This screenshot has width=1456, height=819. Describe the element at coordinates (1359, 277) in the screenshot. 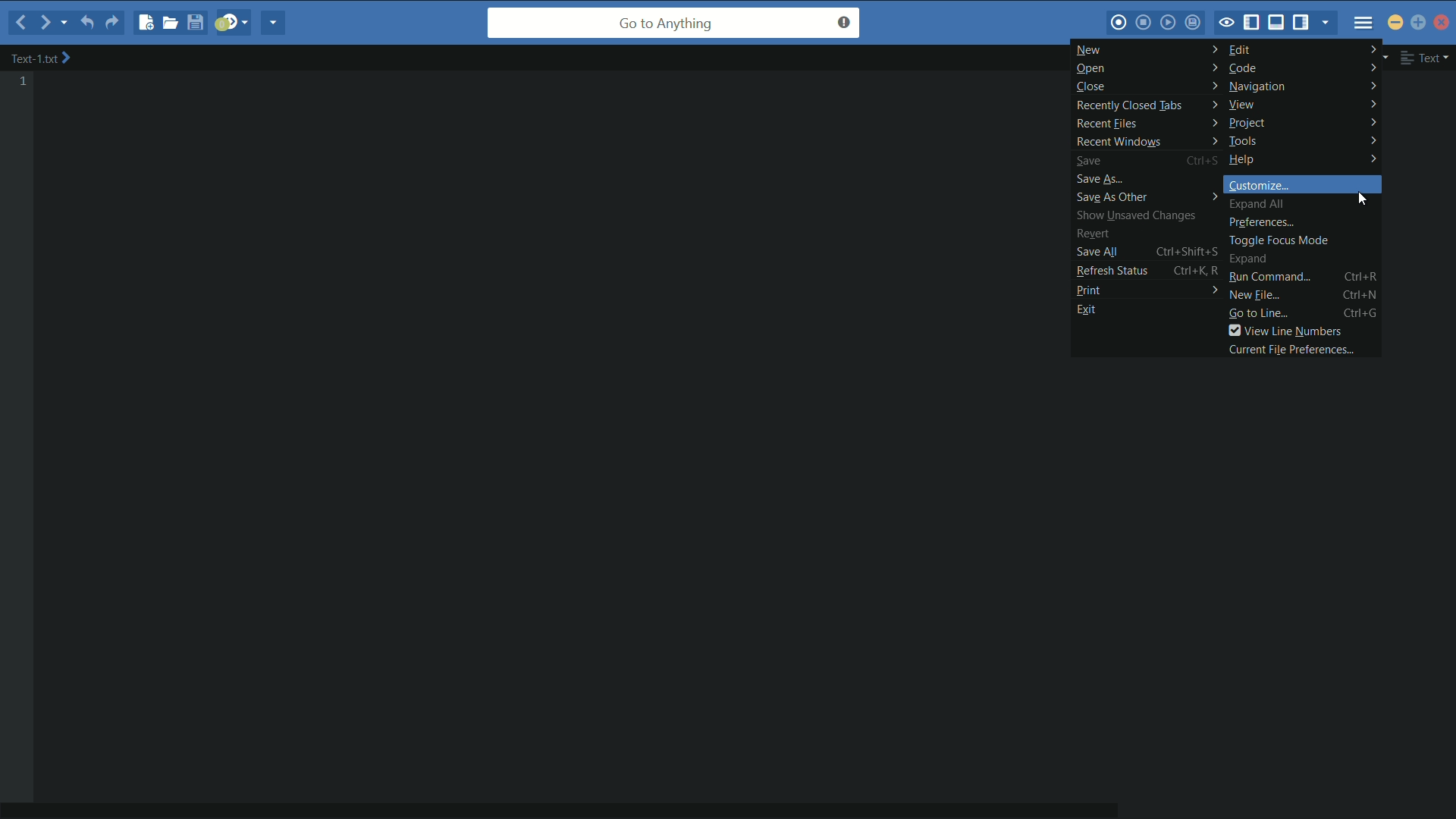

I see `Ctrl+R` at that location.